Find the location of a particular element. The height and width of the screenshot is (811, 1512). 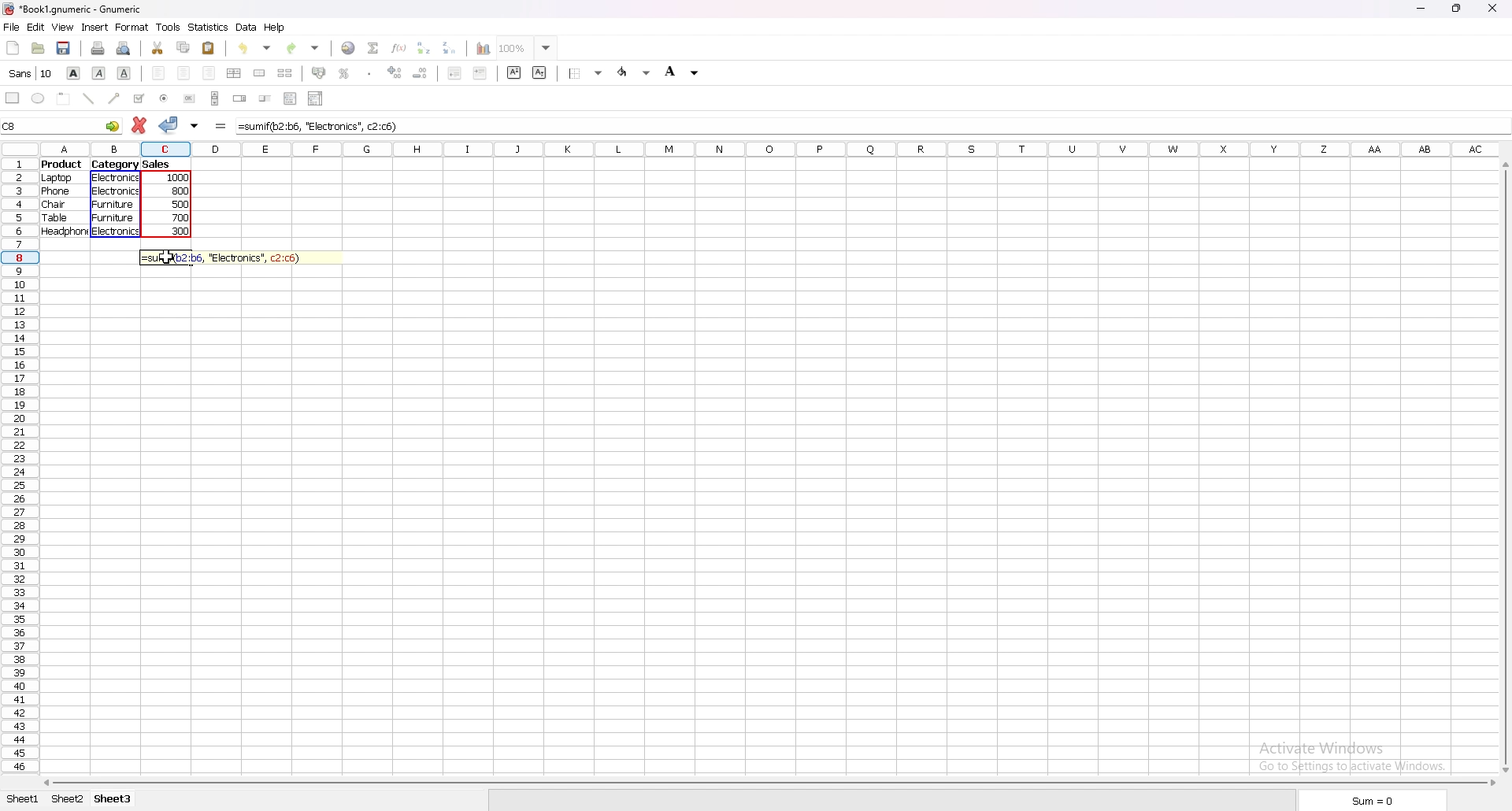

electronics is located at coordinates (116, 177).